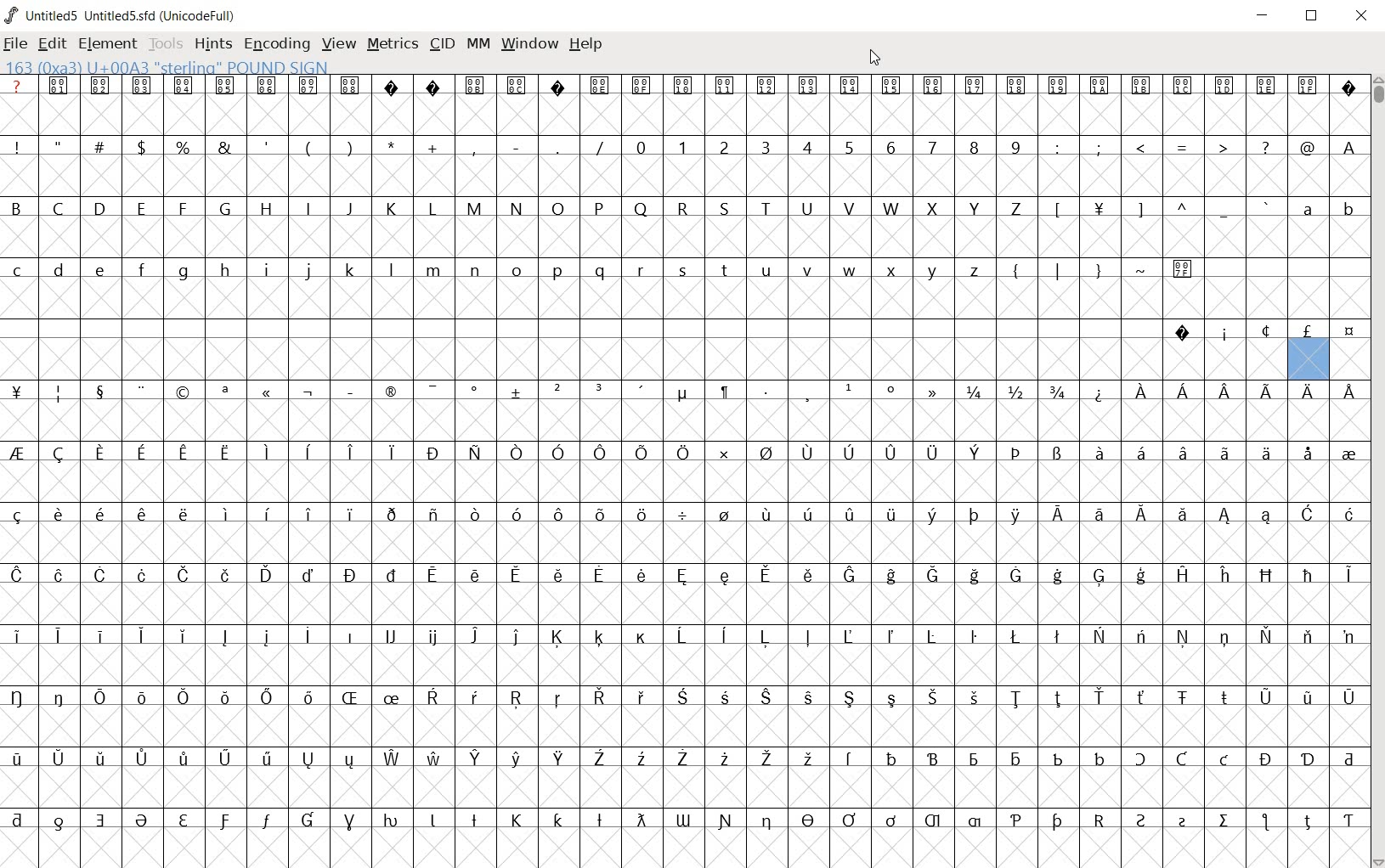 The height and width of the screenshot is (868, 1385). What do you see at coordinates (1056, 758) in the screenshot?
I see `Symbol` at bounding box center [1056, 758].